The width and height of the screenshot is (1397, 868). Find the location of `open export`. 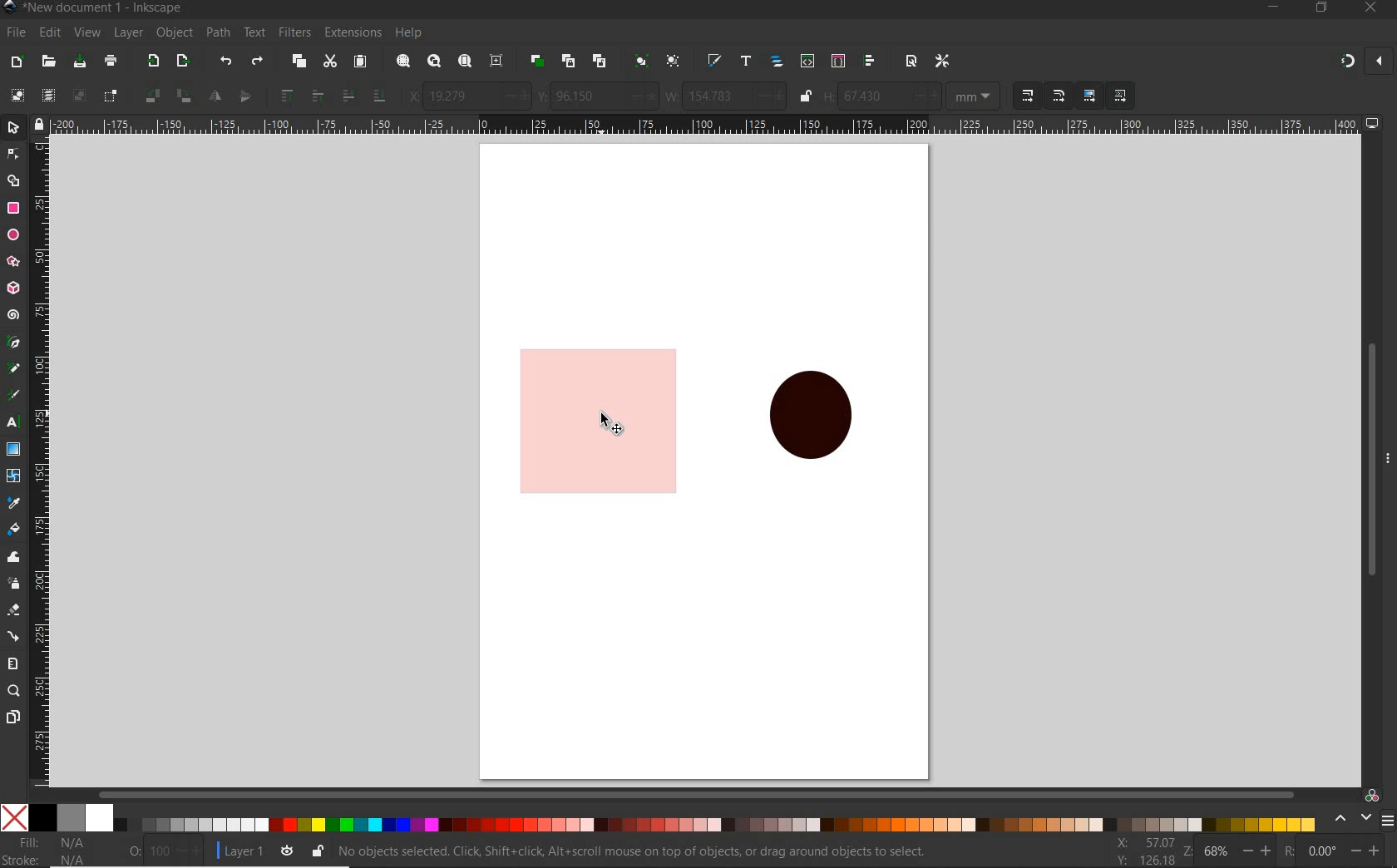

open export is located at coordinates (183, 61).